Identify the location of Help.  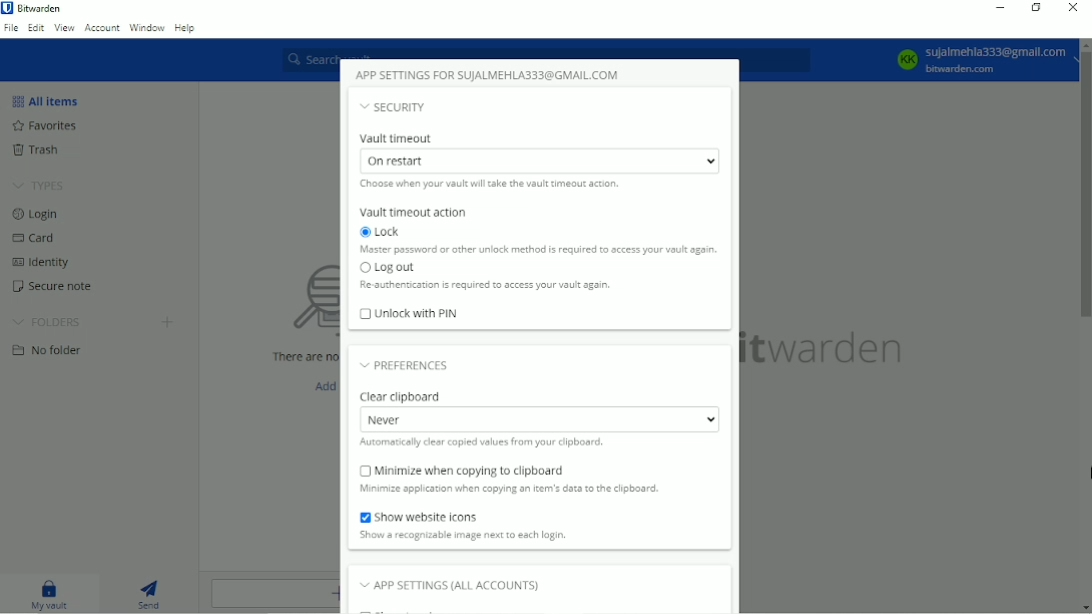
(186, 28).